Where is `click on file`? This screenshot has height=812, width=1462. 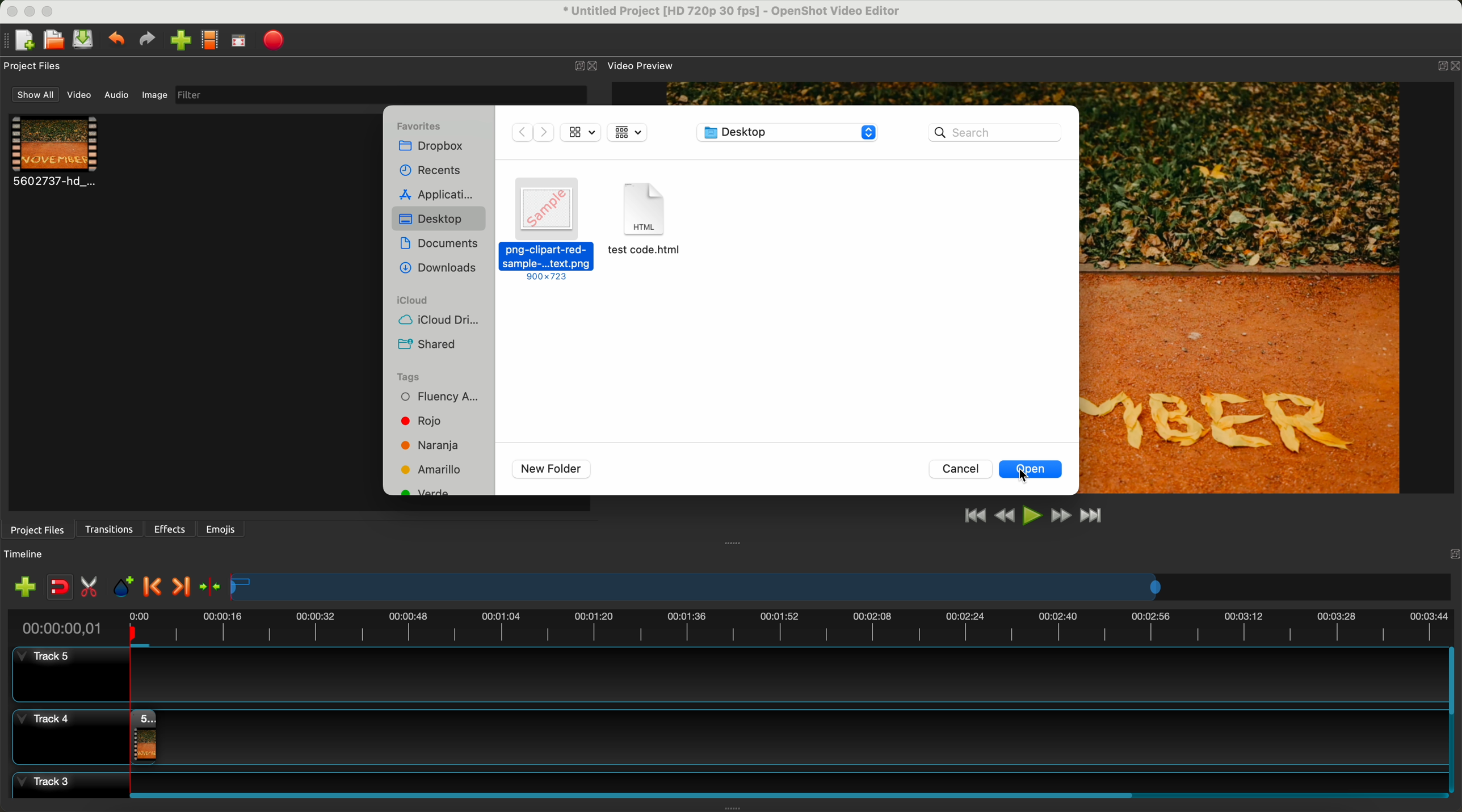
click on file is located at coordinates (547, 232).